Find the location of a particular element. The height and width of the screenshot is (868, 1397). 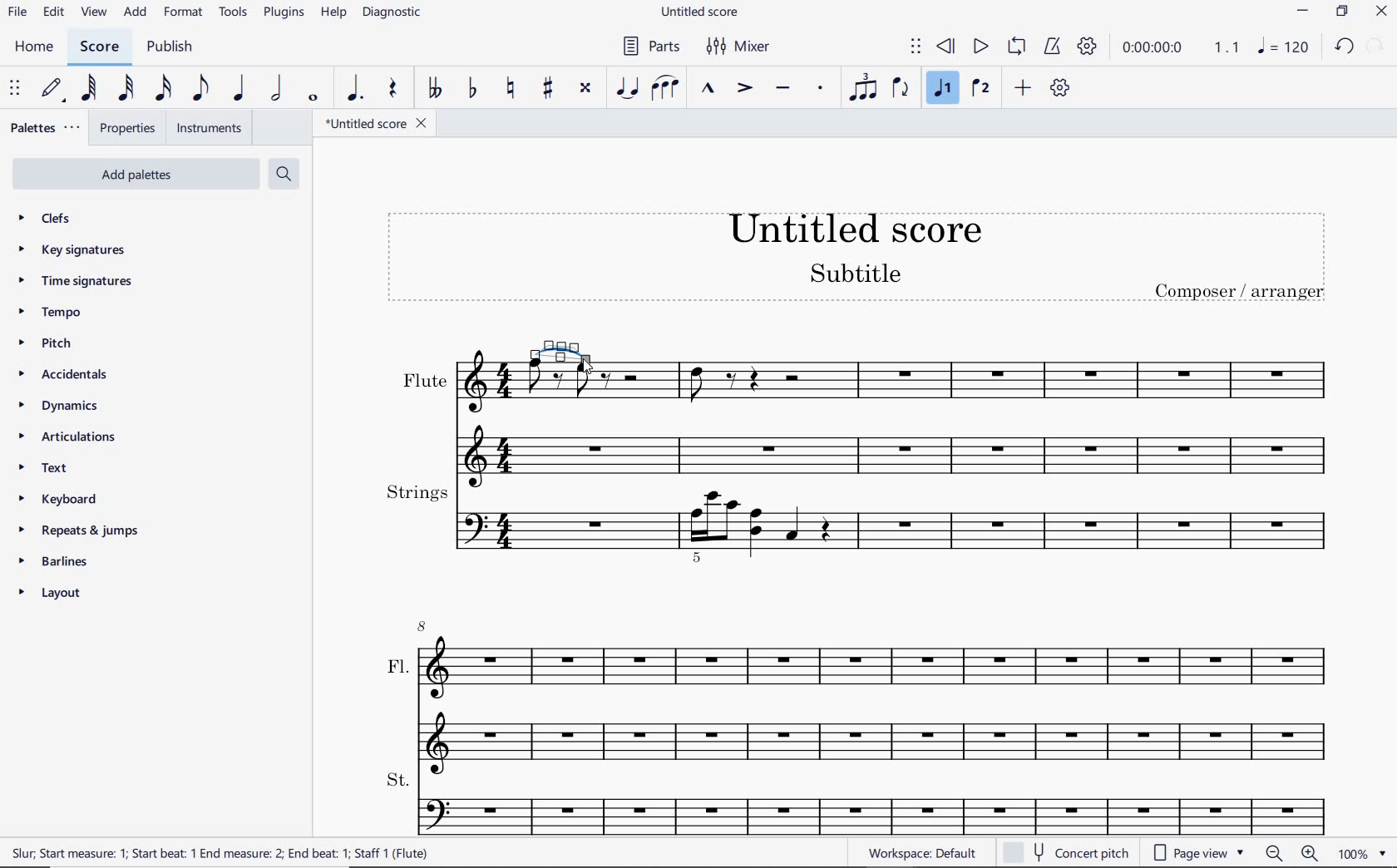

keyboard is located at coordinates (55, 499).